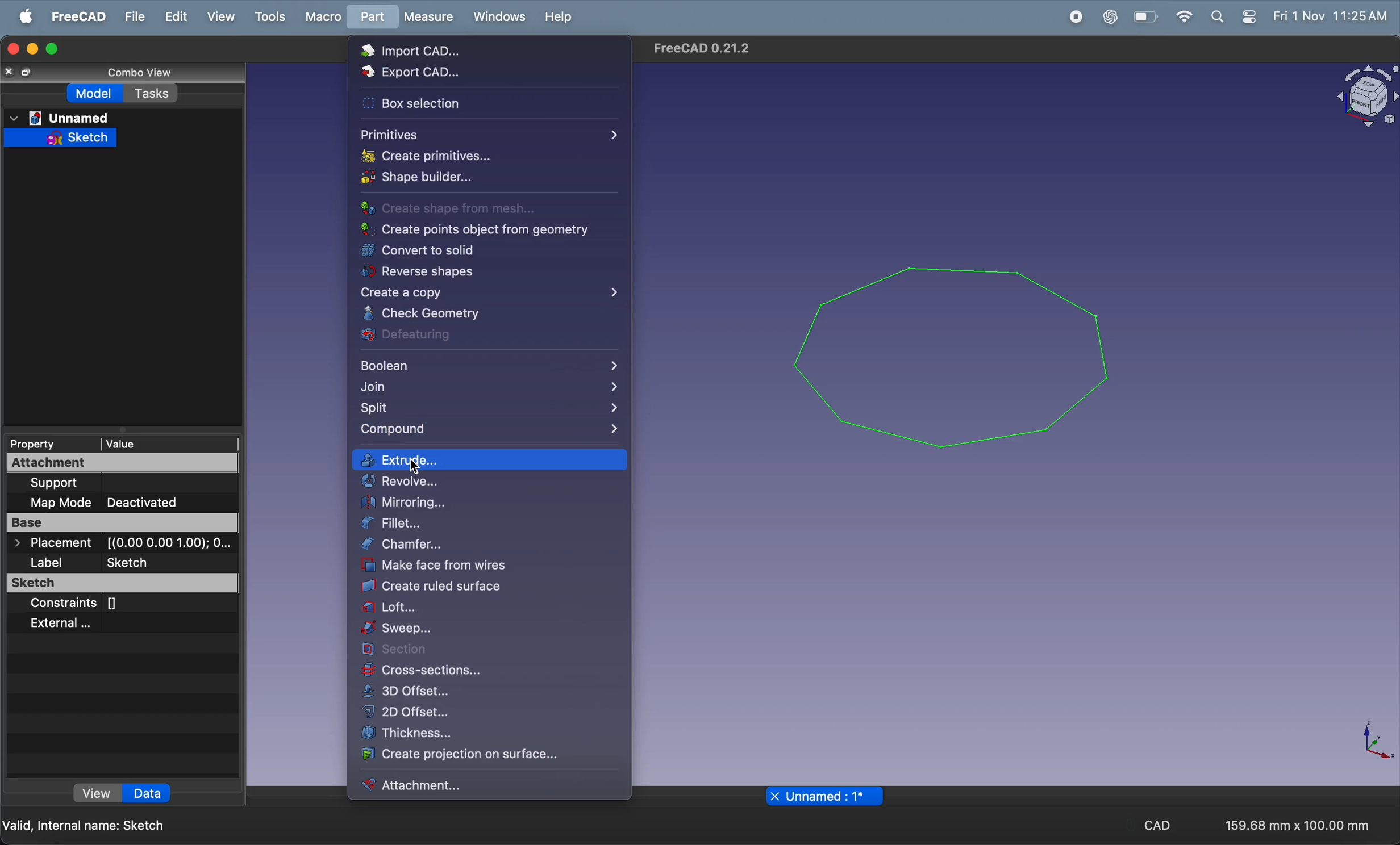  I want to click on view, so click(219, 17).